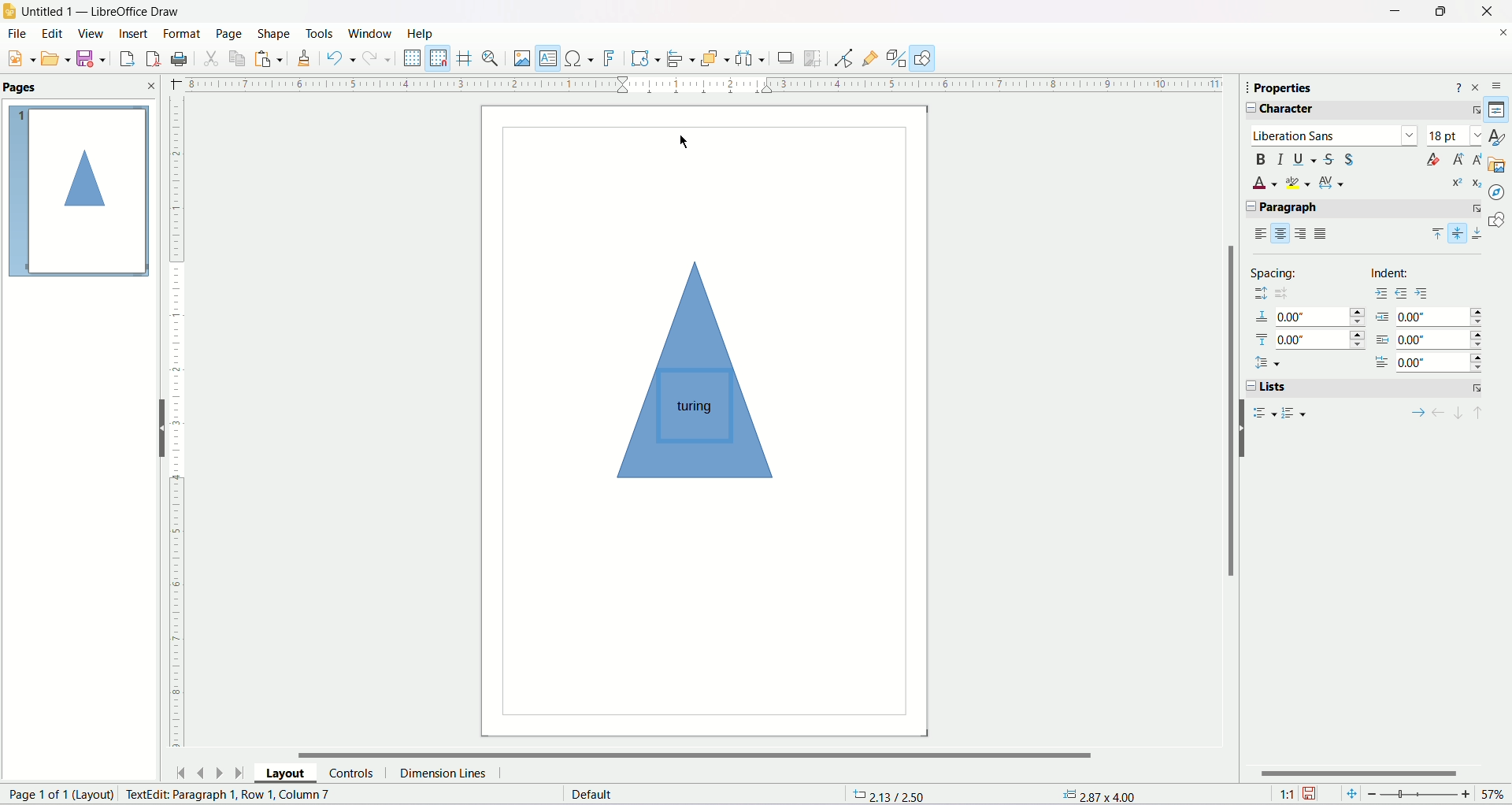  Describe the element at coordinates (1498, 138) in the screenshot. I see `Styles` at that location.